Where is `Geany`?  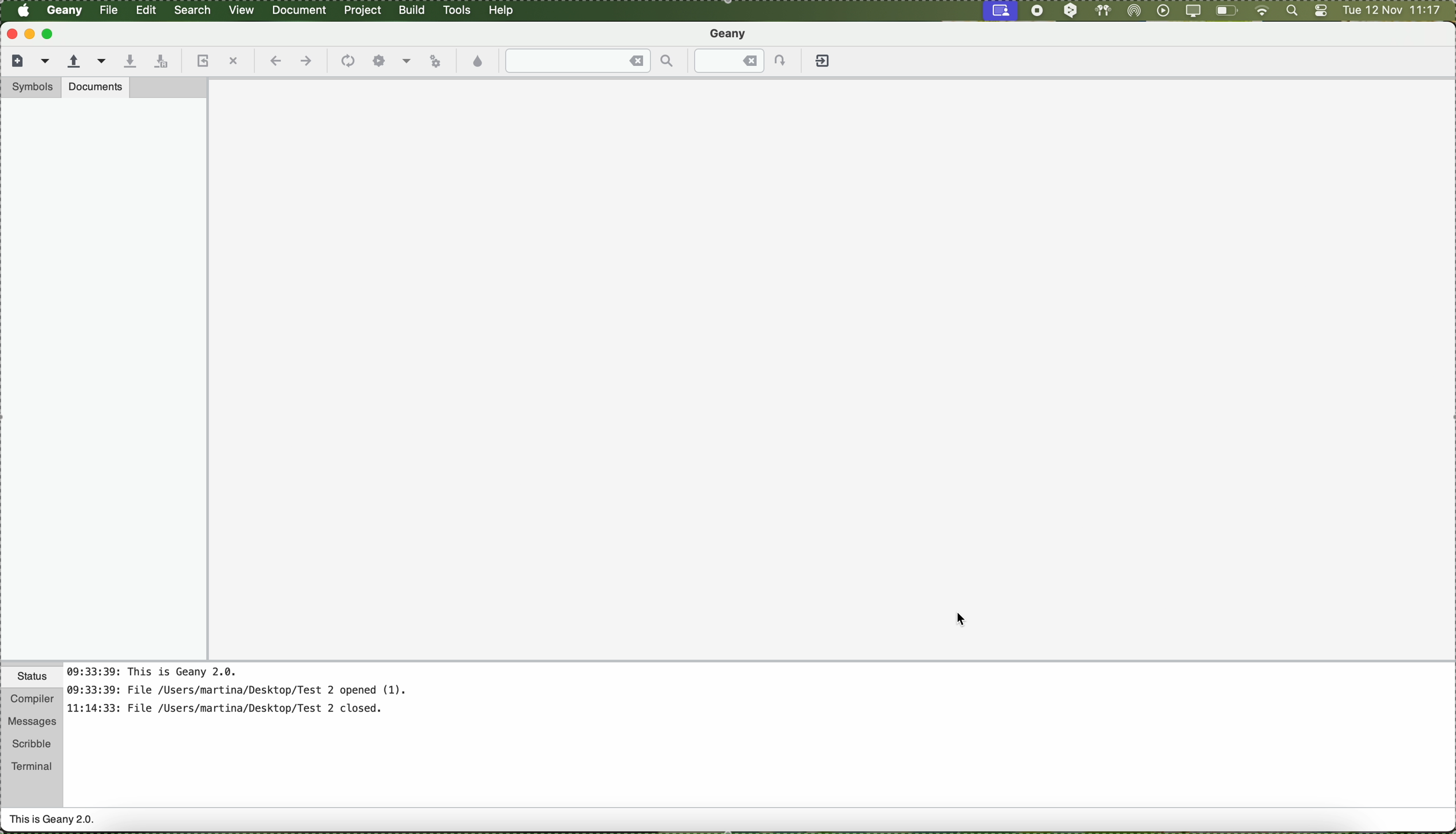
Geany is located at coordinates (730, 35).